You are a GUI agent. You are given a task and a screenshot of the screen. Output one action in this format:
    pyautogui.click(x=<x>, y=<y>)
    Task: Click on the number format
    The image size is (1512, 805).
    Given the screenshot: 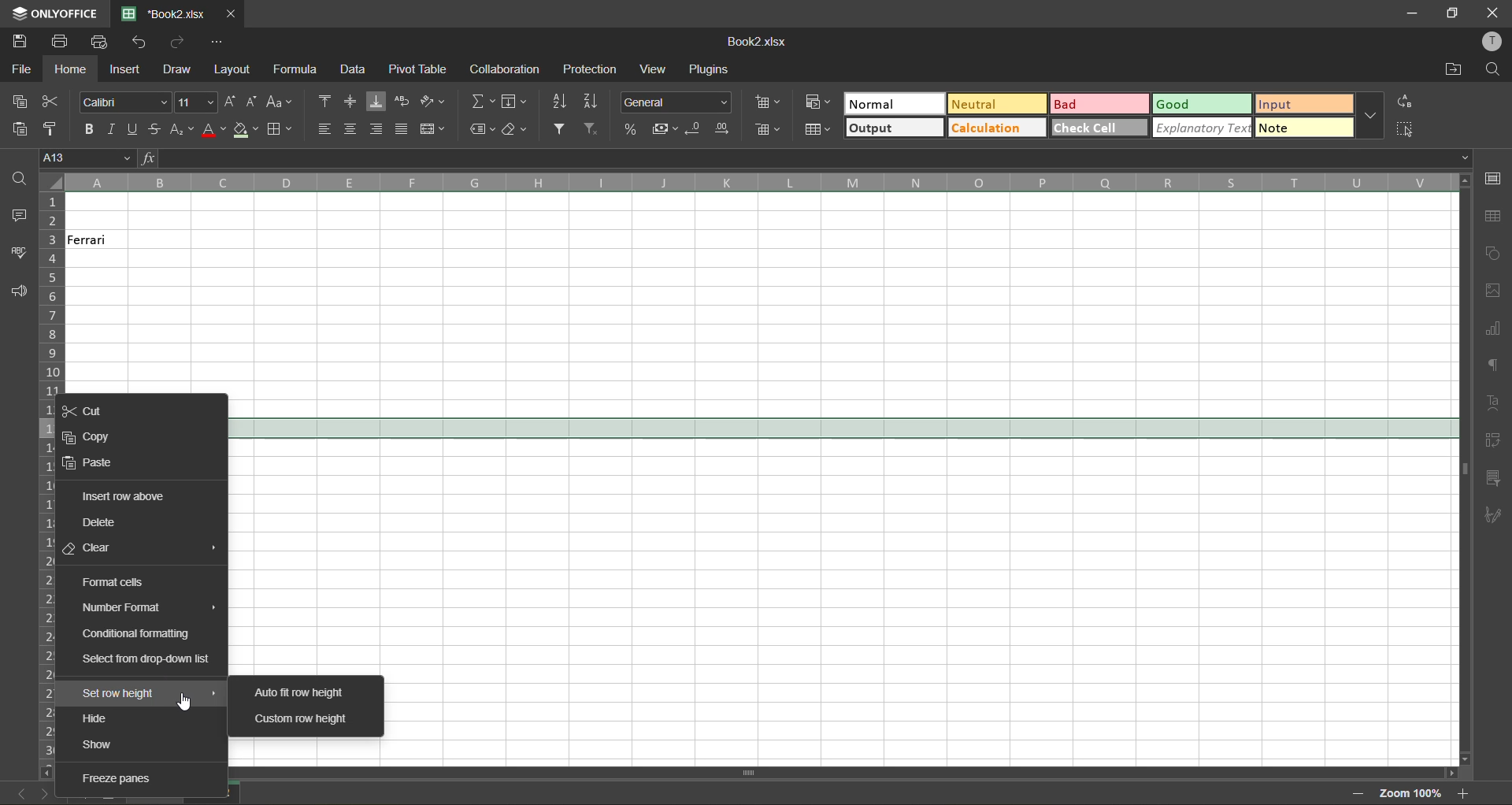 What is the action you would take?
    pyautogui.click(x=675, y=103)
    